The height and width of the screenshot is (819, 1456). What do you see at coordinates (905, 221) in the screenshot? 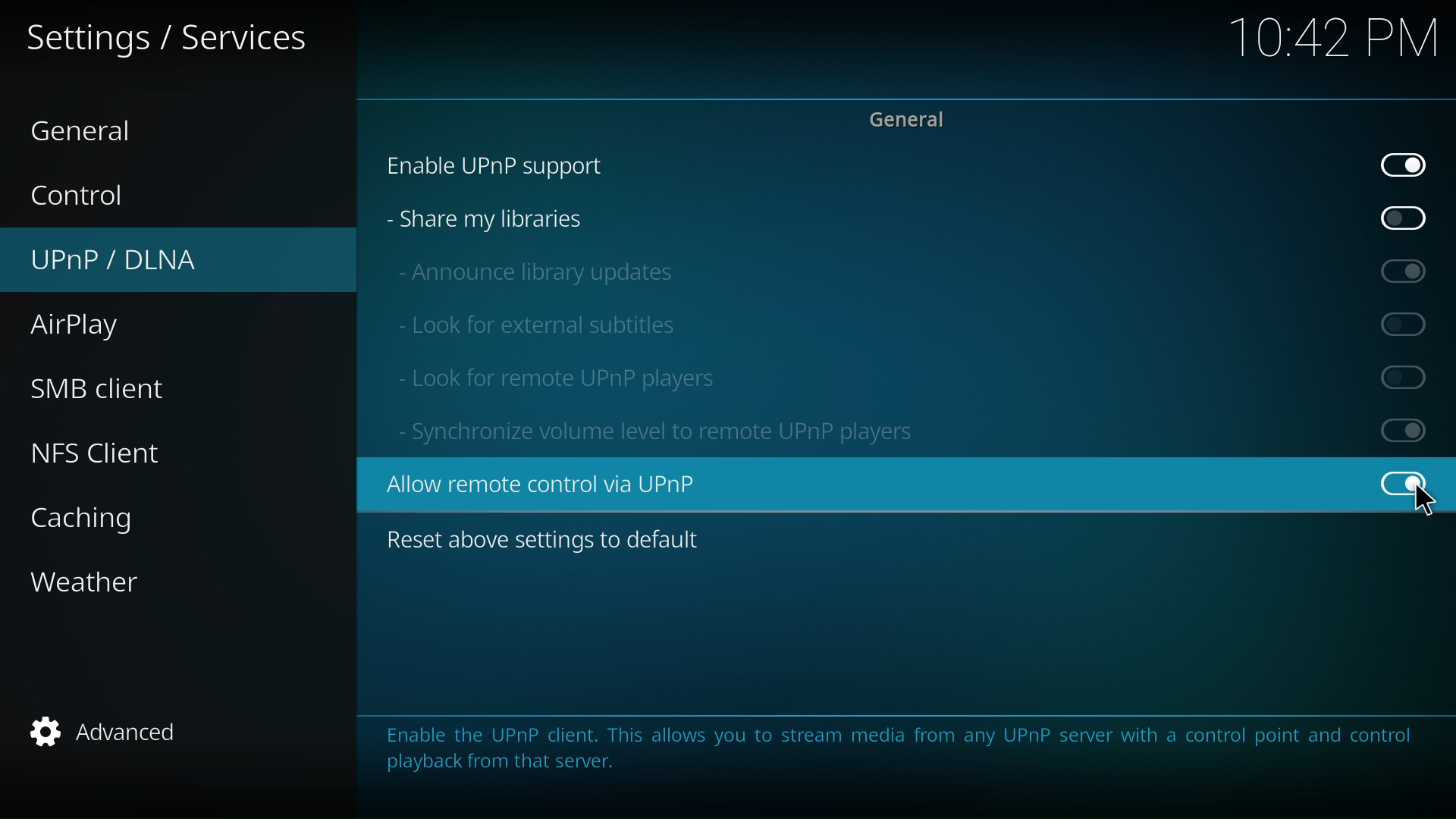
I see `share my libraries` at bounding box center [905, 221].